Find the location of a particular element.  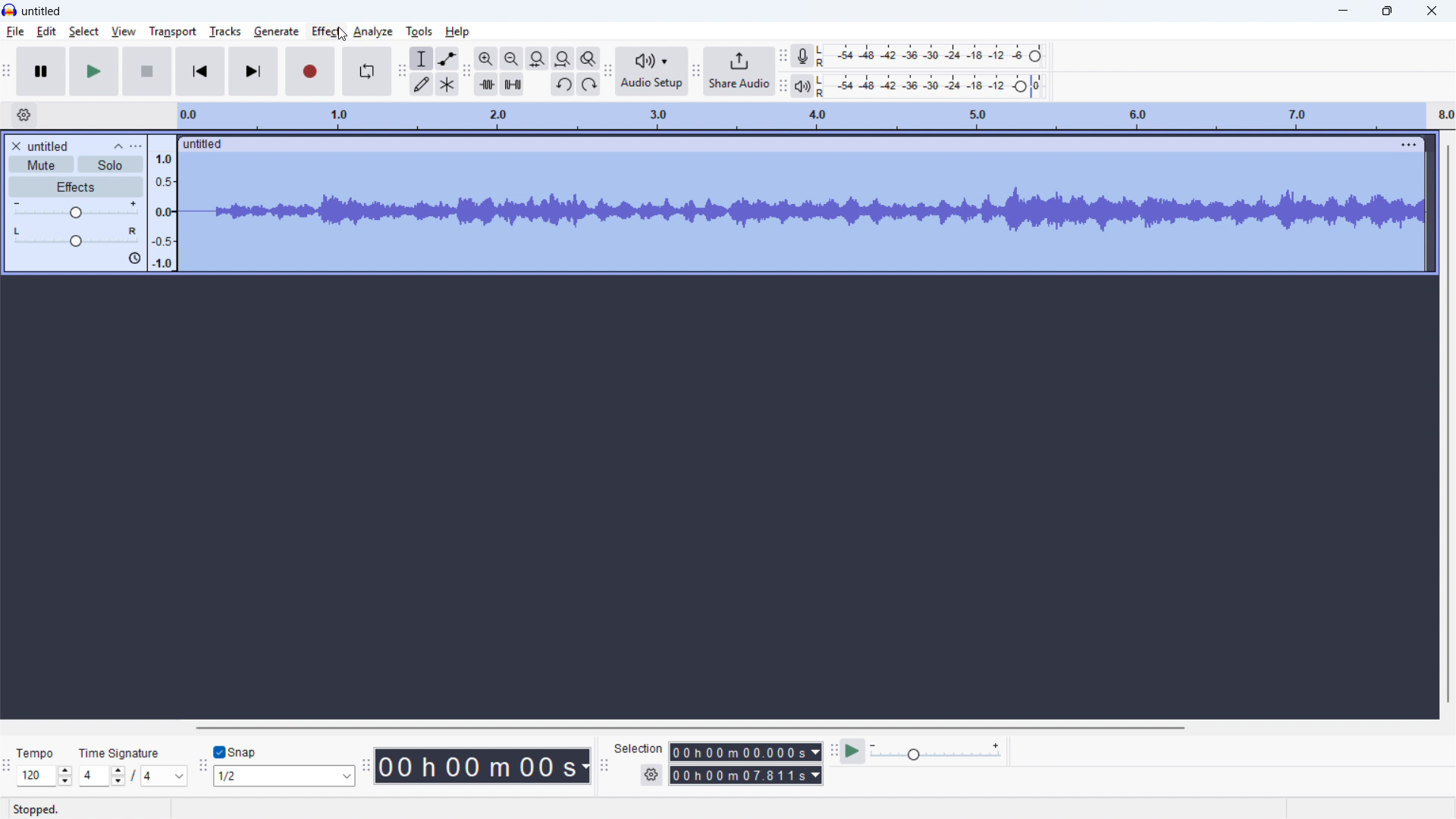

Zoom out  is located at coordinates (511, 58).